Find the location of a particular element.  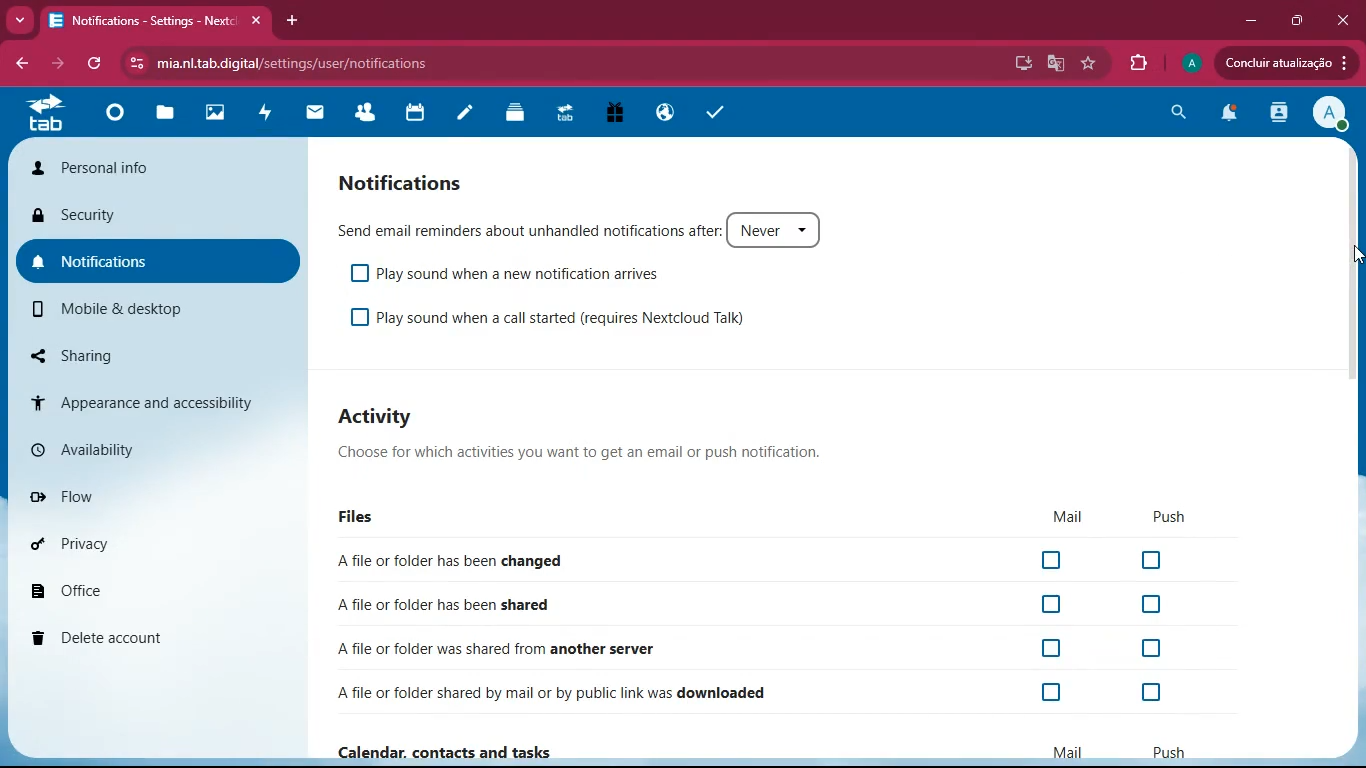

View Profile is located at coordinates (1331, 114).